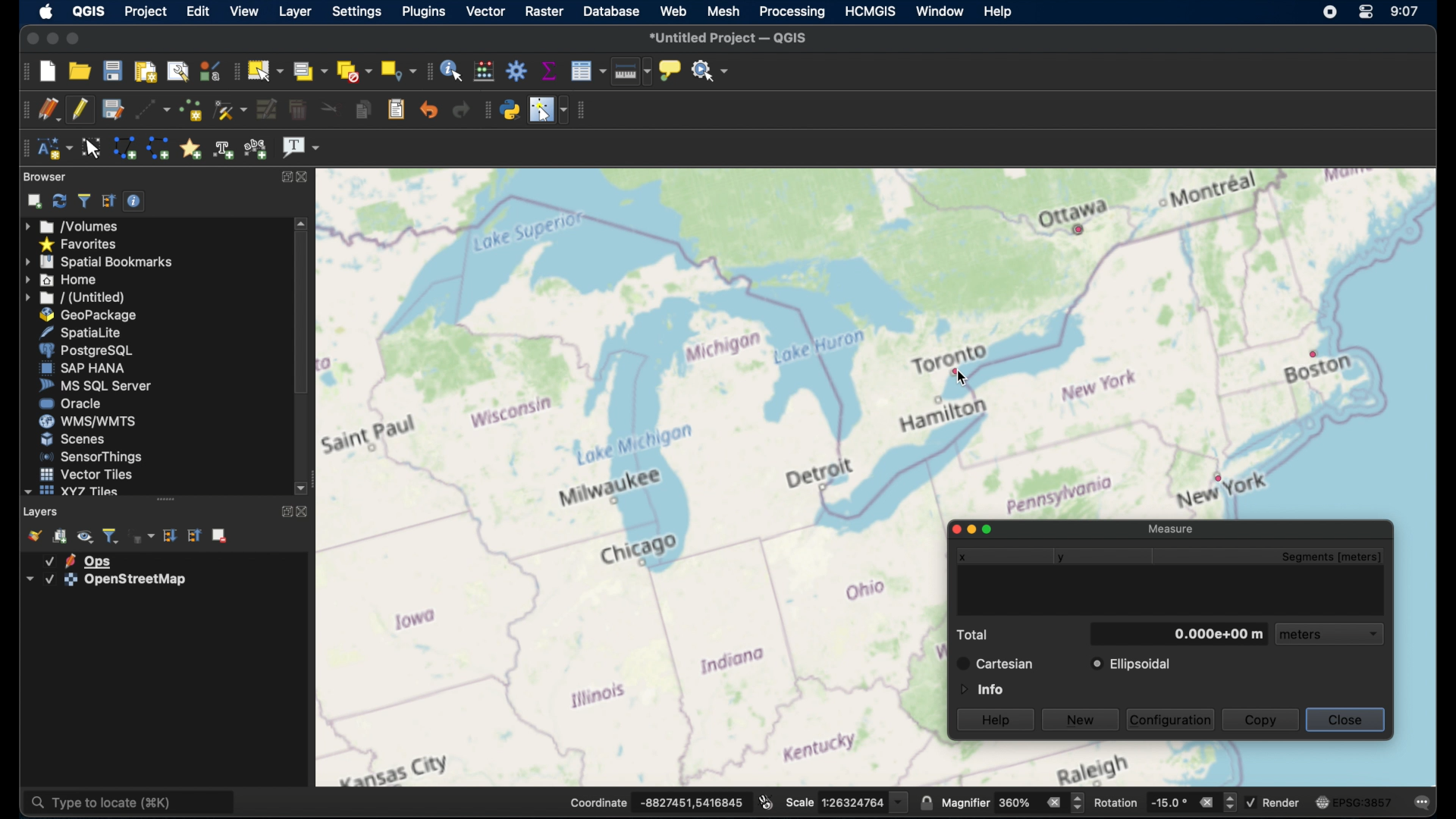 The width and height of the screenshot is (1456, 819). Describe the element at coordinates (731, 39) in the screenshot. I see `untitles project QGIS` at that location.